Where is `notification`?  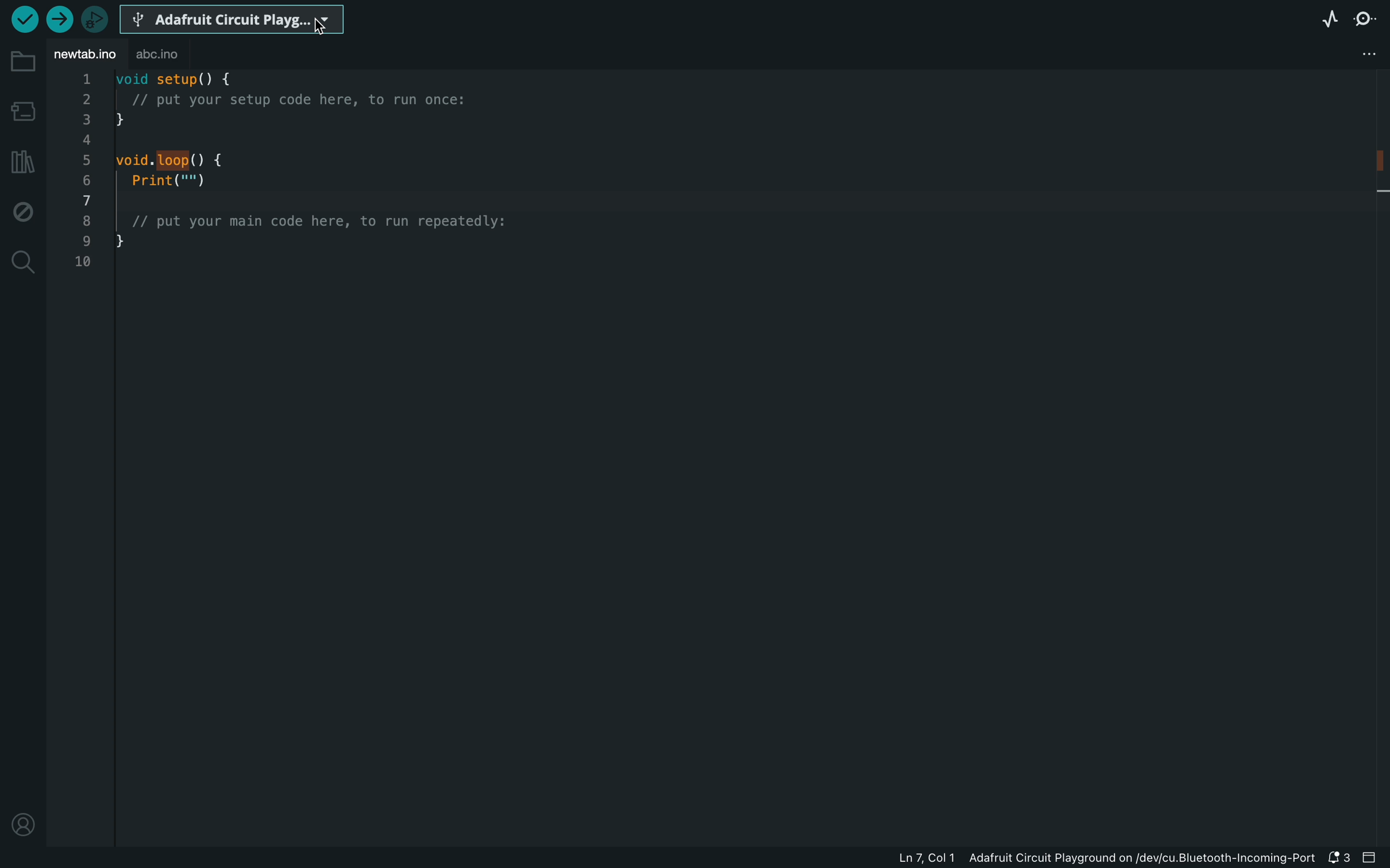
notification is located at coordinates (1340, 859).